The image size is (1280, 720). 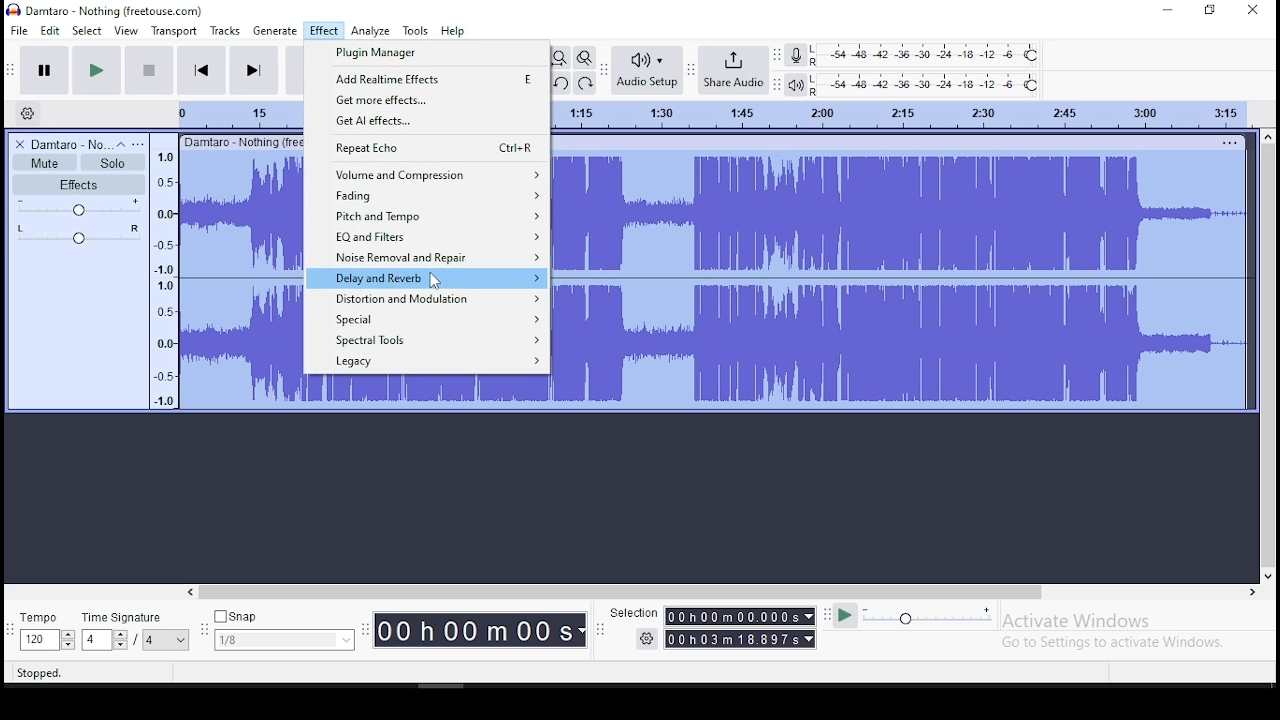 What do you see at coordinates (42, 673) in the screenshot?
I see `Stopped.` at bounding box center [42, 673].